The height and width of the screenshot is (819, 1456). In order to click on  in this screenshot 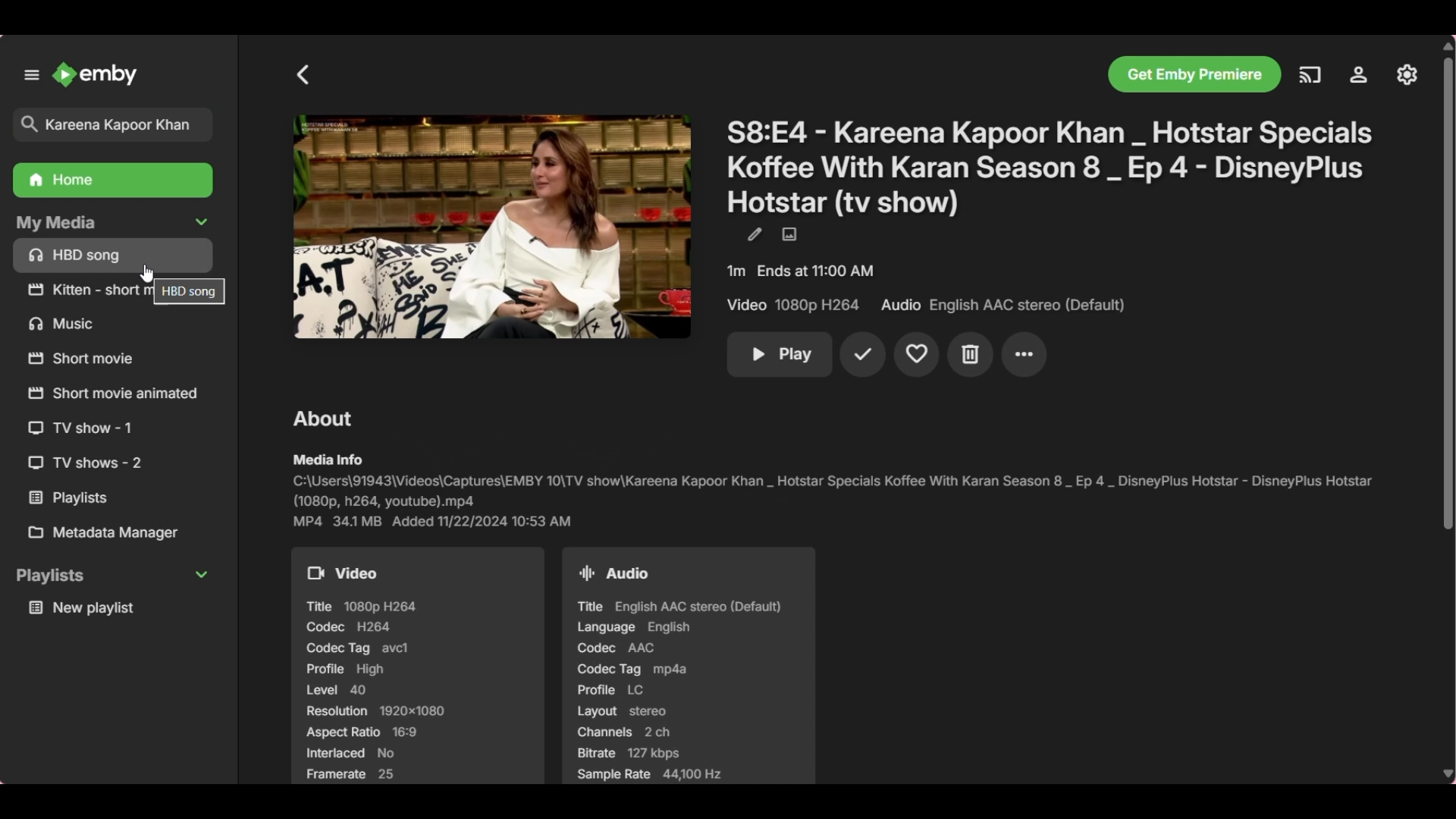, I will do `click(193, 292)`.